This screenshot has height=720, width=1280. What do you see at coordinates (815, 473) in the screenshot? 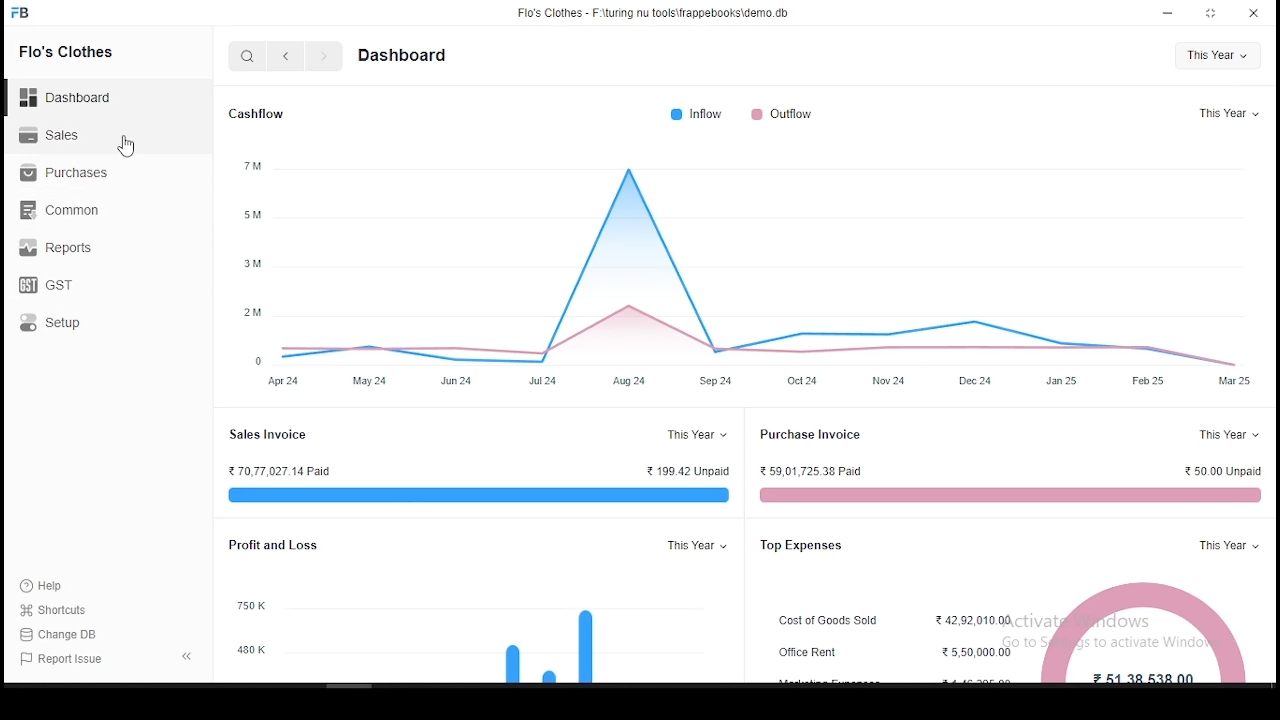
I see `259,01,725.38 Paid` at bounding box center [815, 473].